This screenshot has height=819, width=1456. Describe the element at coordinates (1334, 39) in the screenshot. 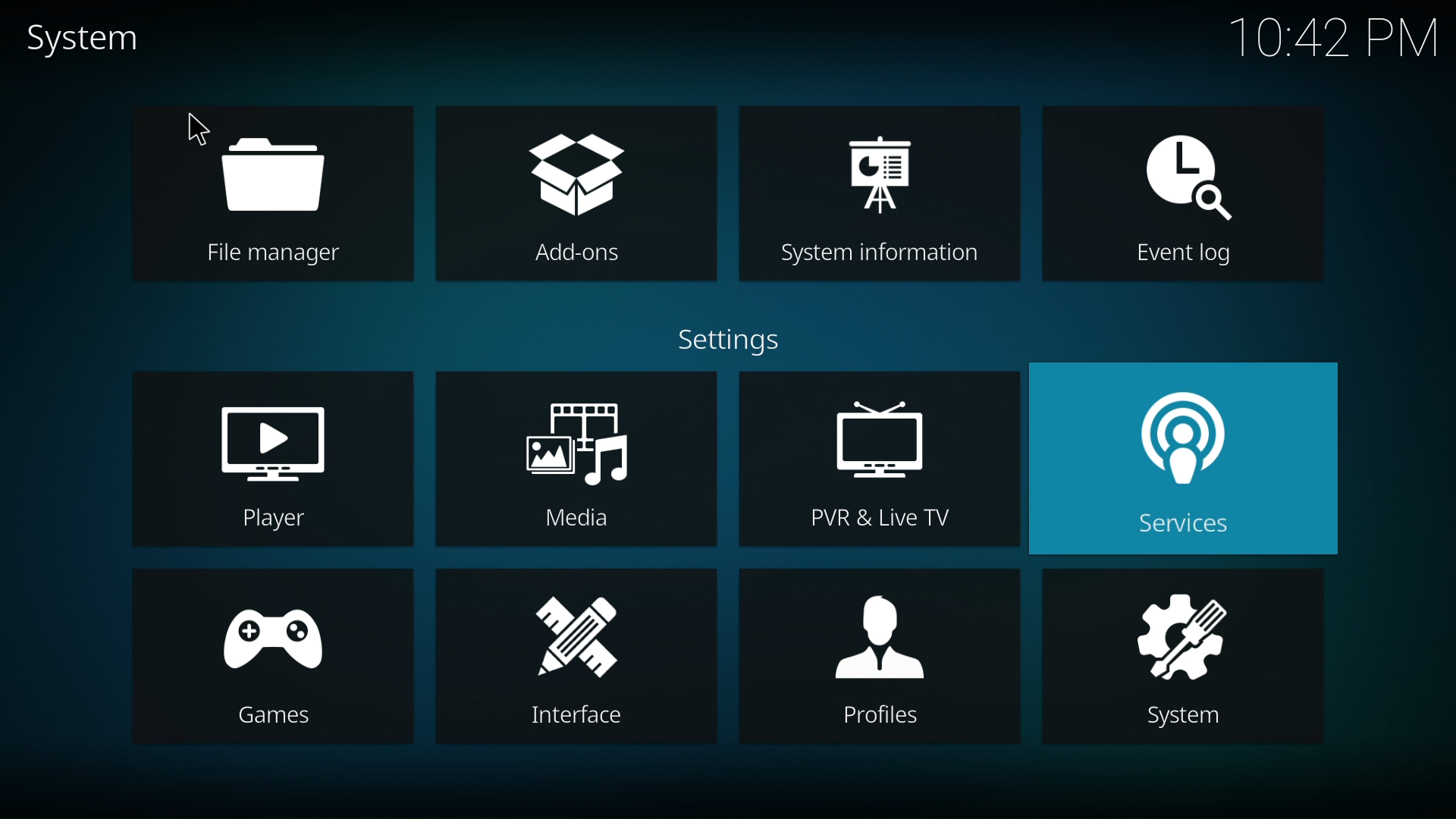

I see `10:42 PM` at that location.